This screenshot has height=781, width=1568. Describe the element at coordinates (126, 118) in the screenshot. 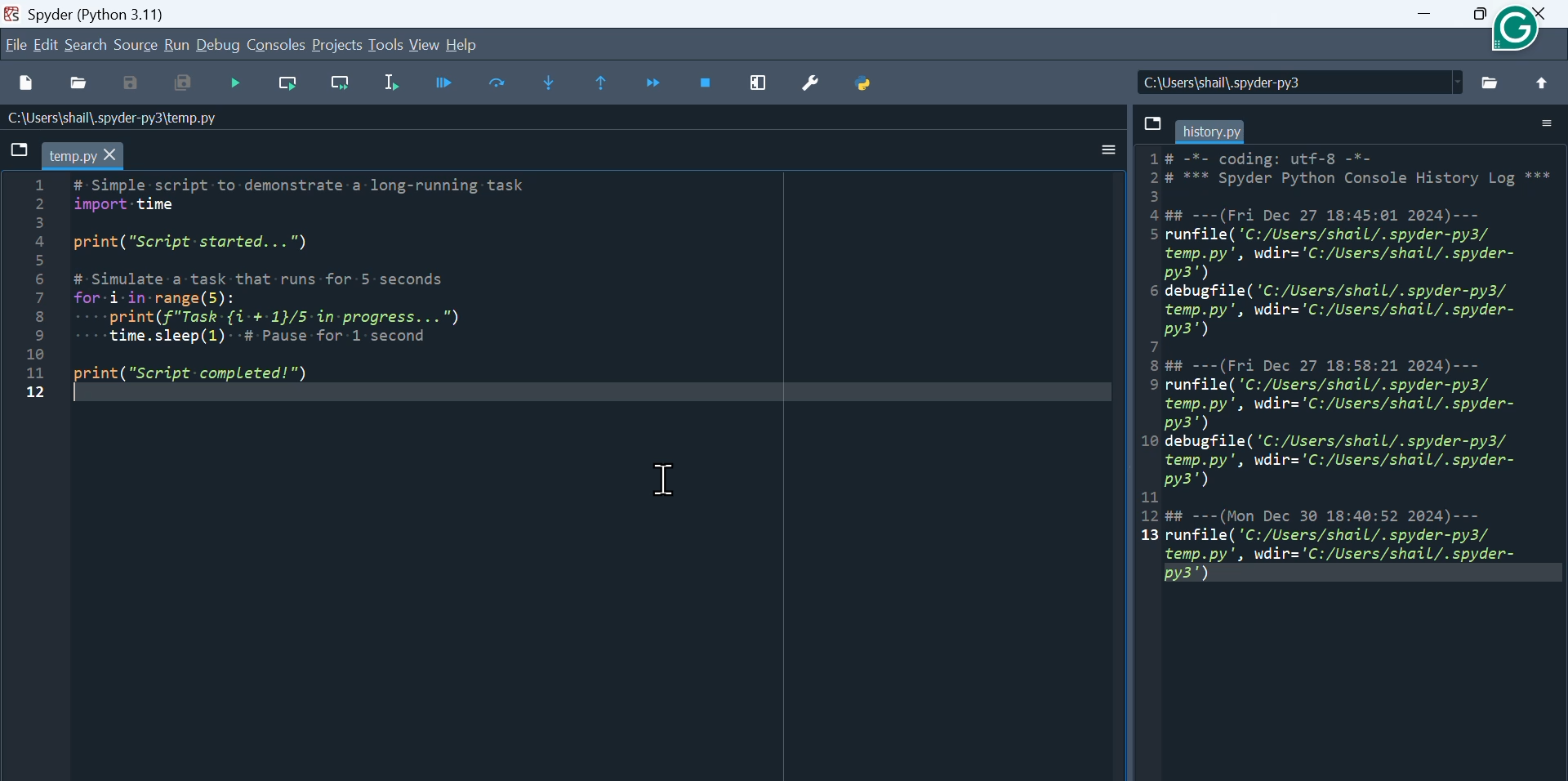

I see `C:\Users\shail\.spyder-py3\temp.py` at that location.